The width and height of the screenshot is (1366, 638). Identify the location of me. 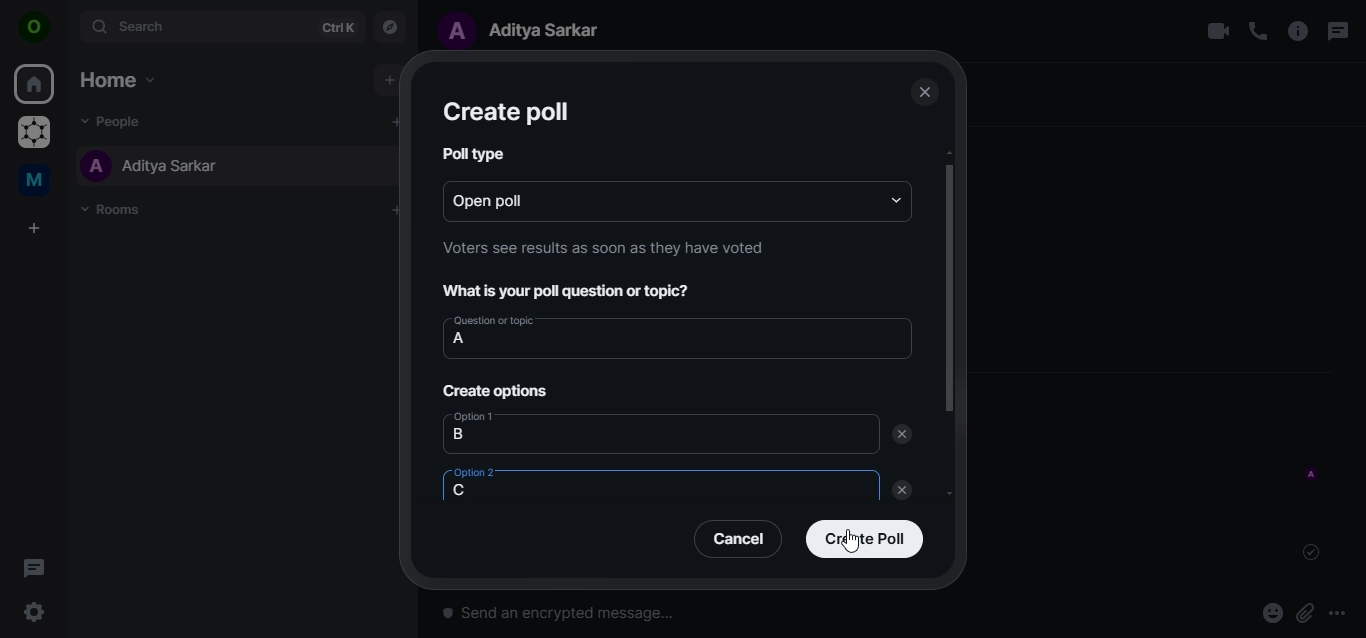
(37, 183).